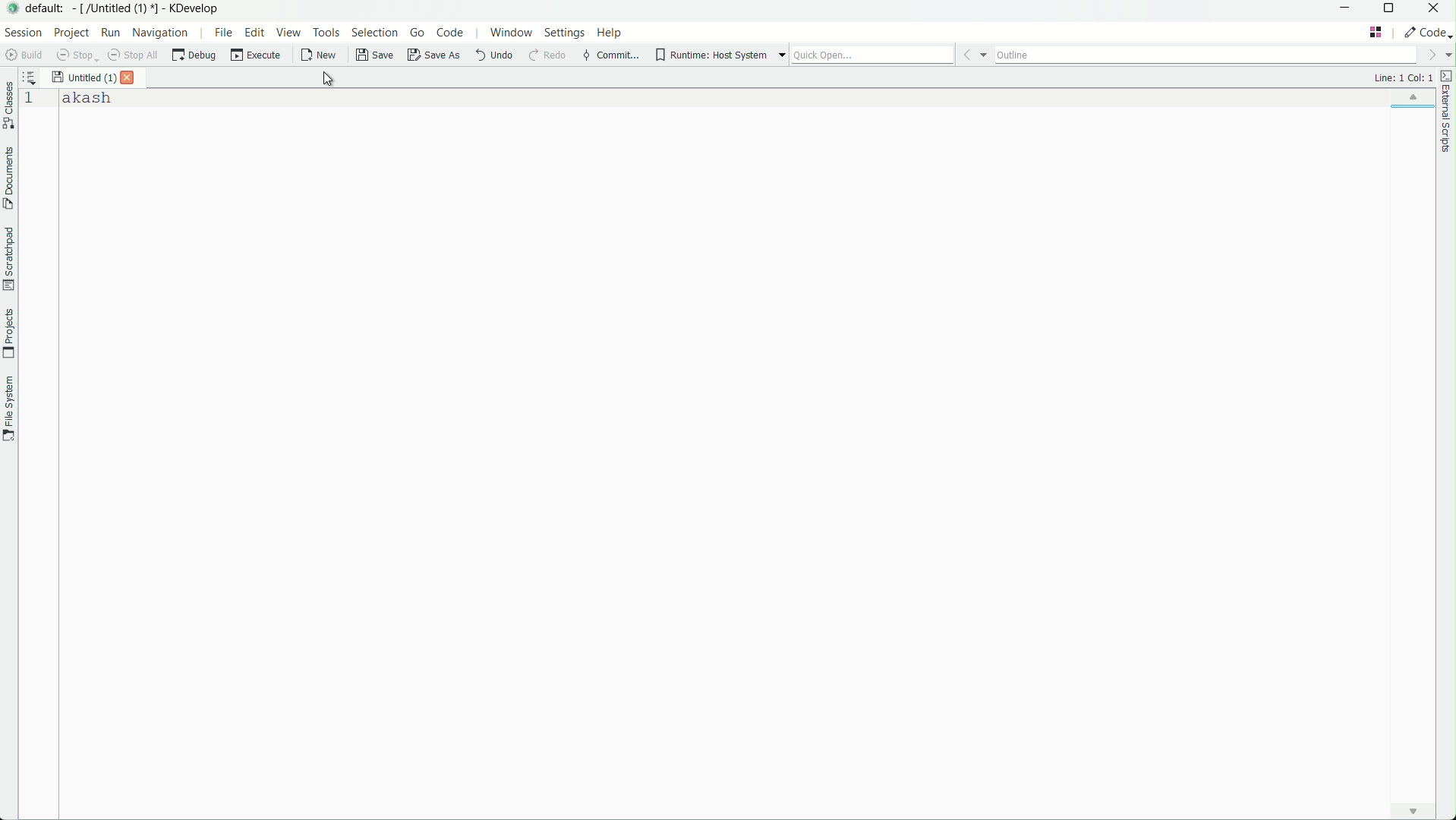 This screenshot has height=820, width=1456. Describe the element at coordinates (327, 79) in the screenshot. I see `cursor` at that location.